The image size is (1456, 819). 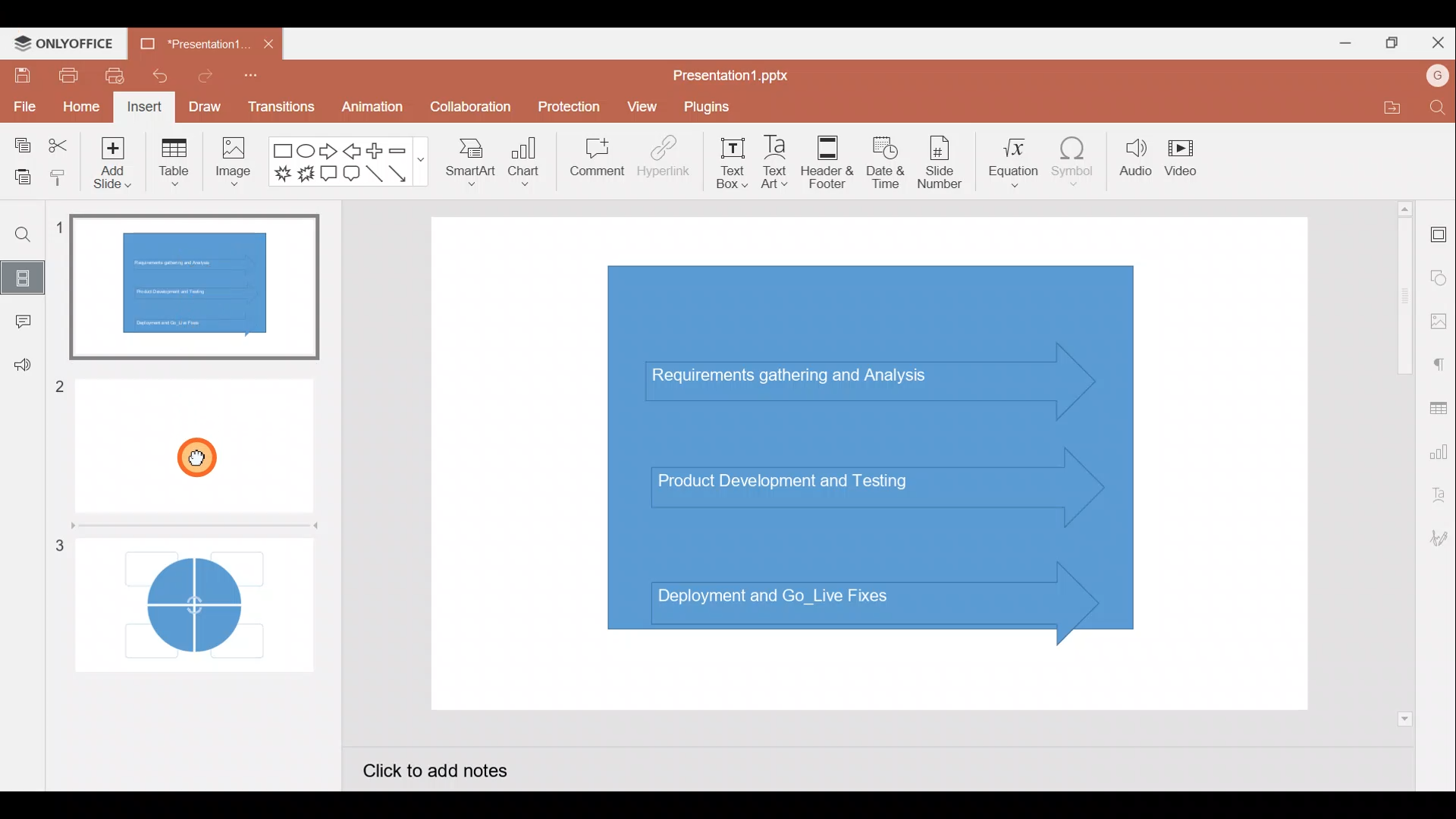 I want to click on Plus, so click(x=375, y=149).